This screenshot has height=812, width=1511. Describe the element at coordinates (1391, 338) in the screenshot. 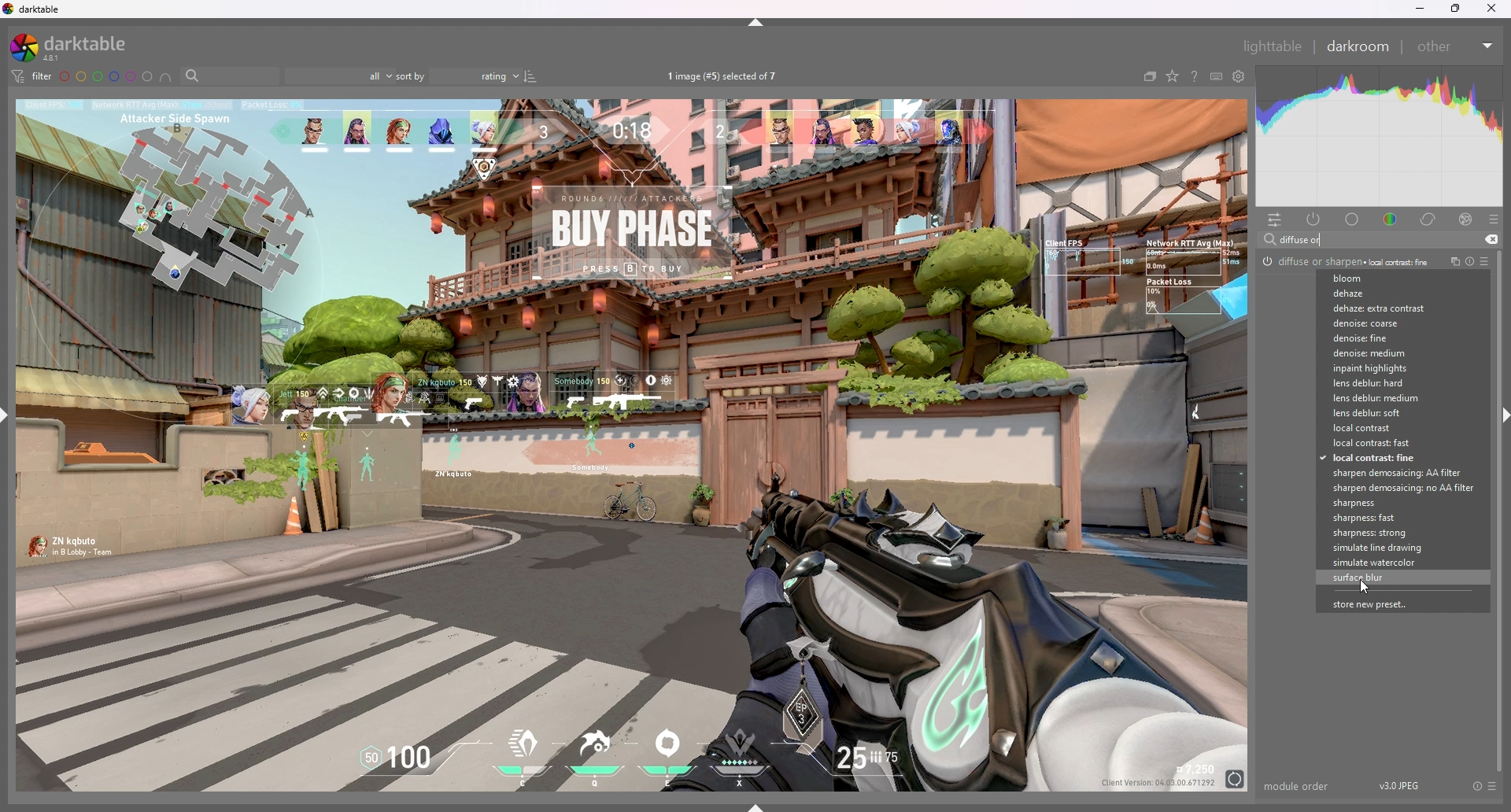

I see `denoise fine` at that location.